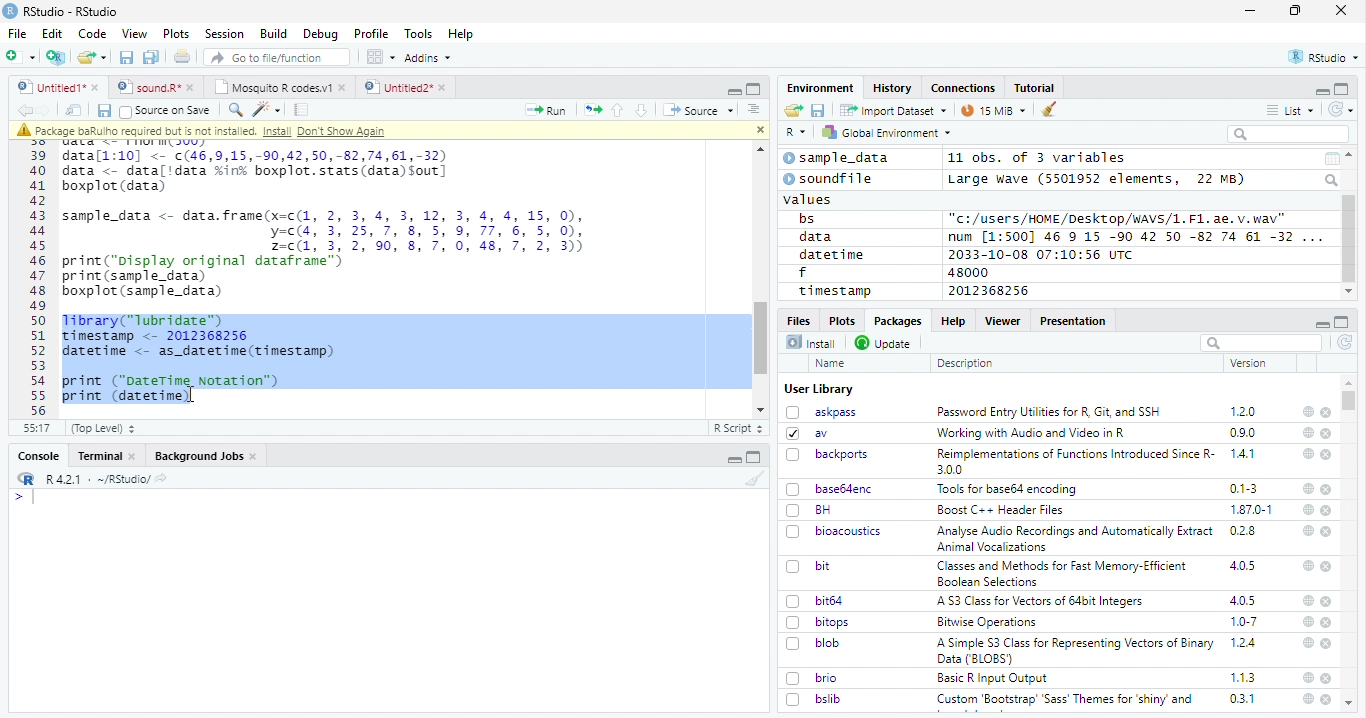  I want to click on Save all the open documents, so click(152, 58).